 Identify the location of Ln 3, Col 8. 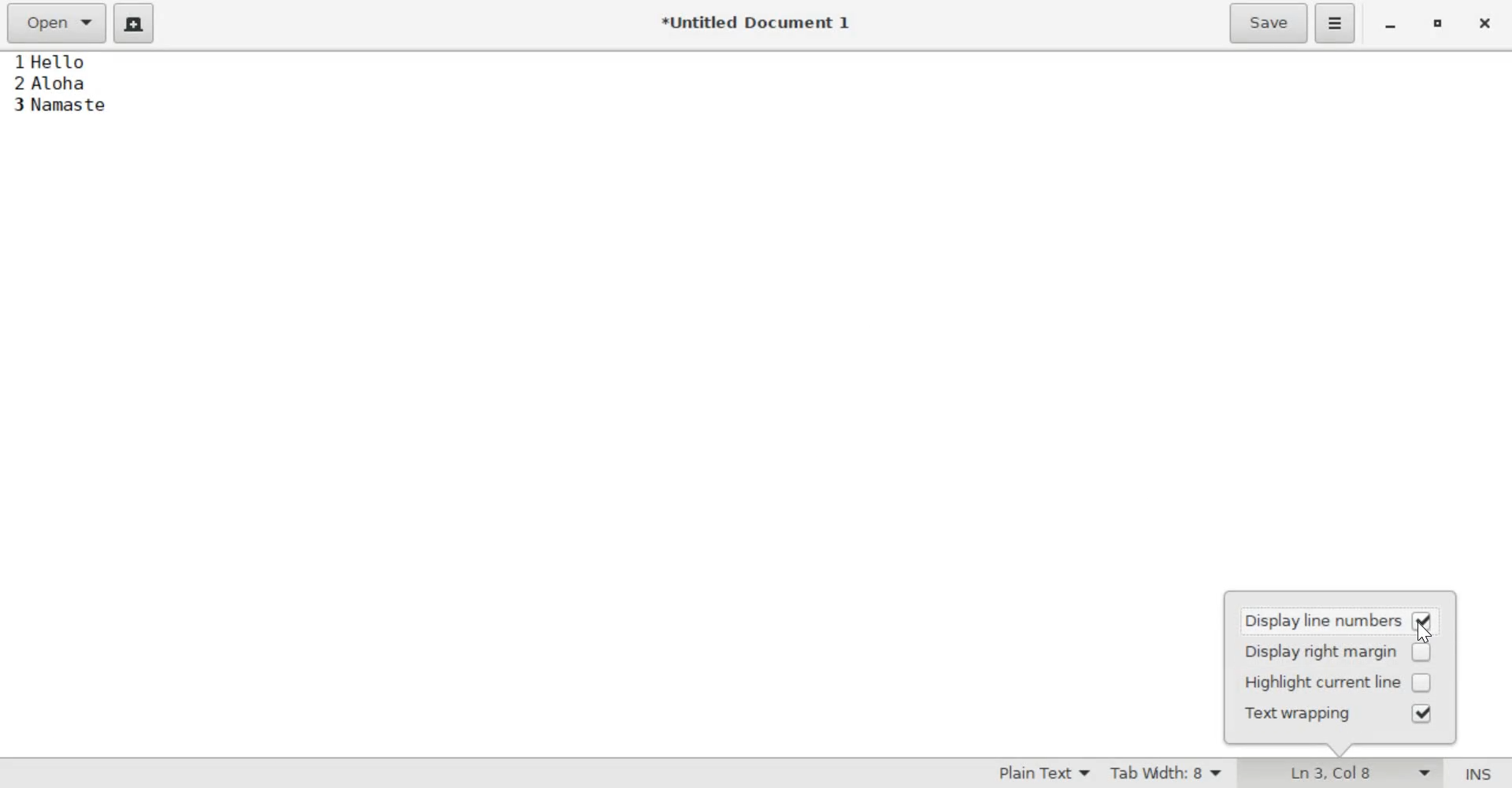
(1360, 771).